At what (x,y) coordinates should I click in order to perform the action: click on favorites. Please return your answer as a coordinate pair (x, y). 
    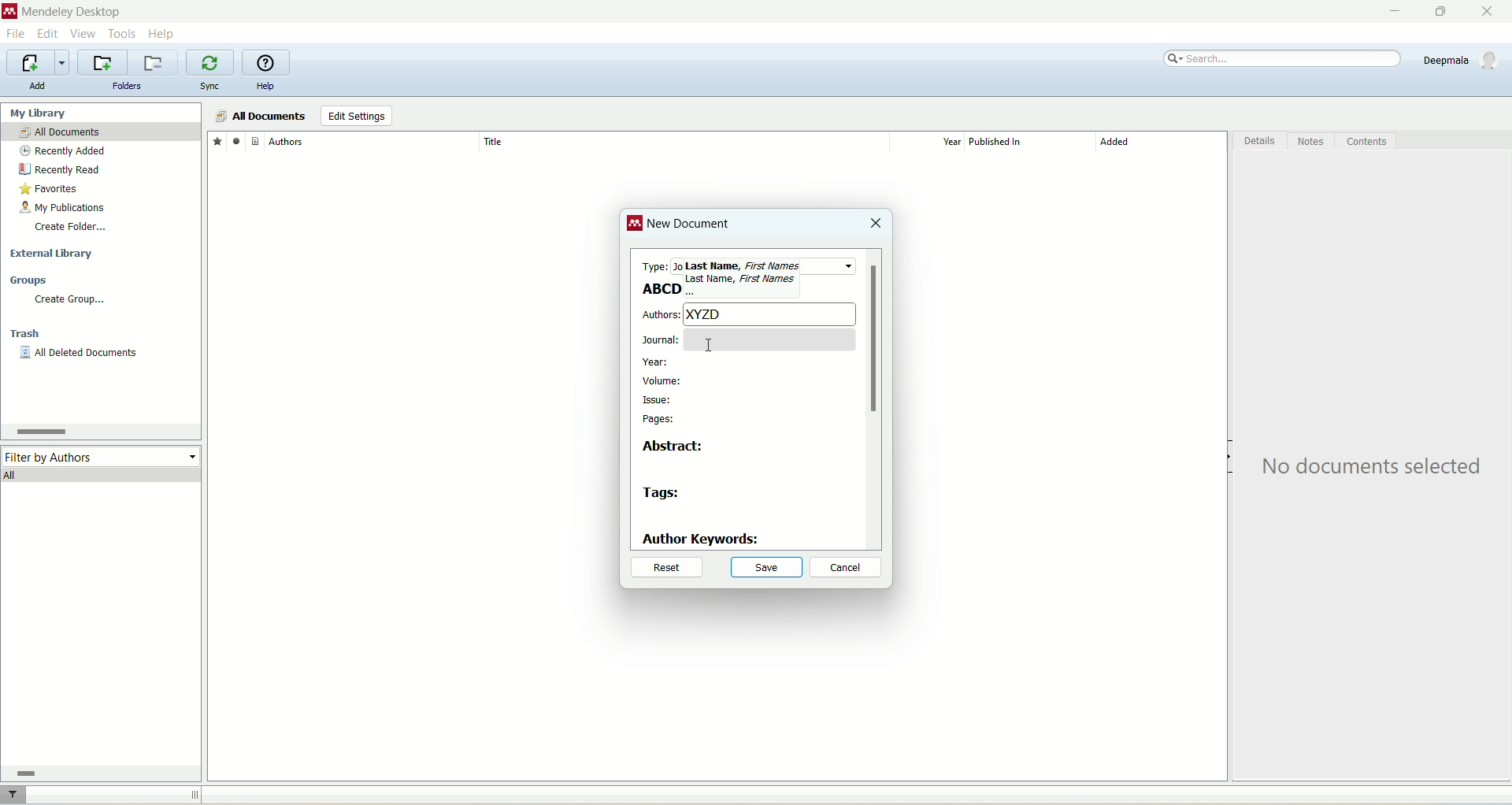
    Looking at the image, I should click on (217, 140).